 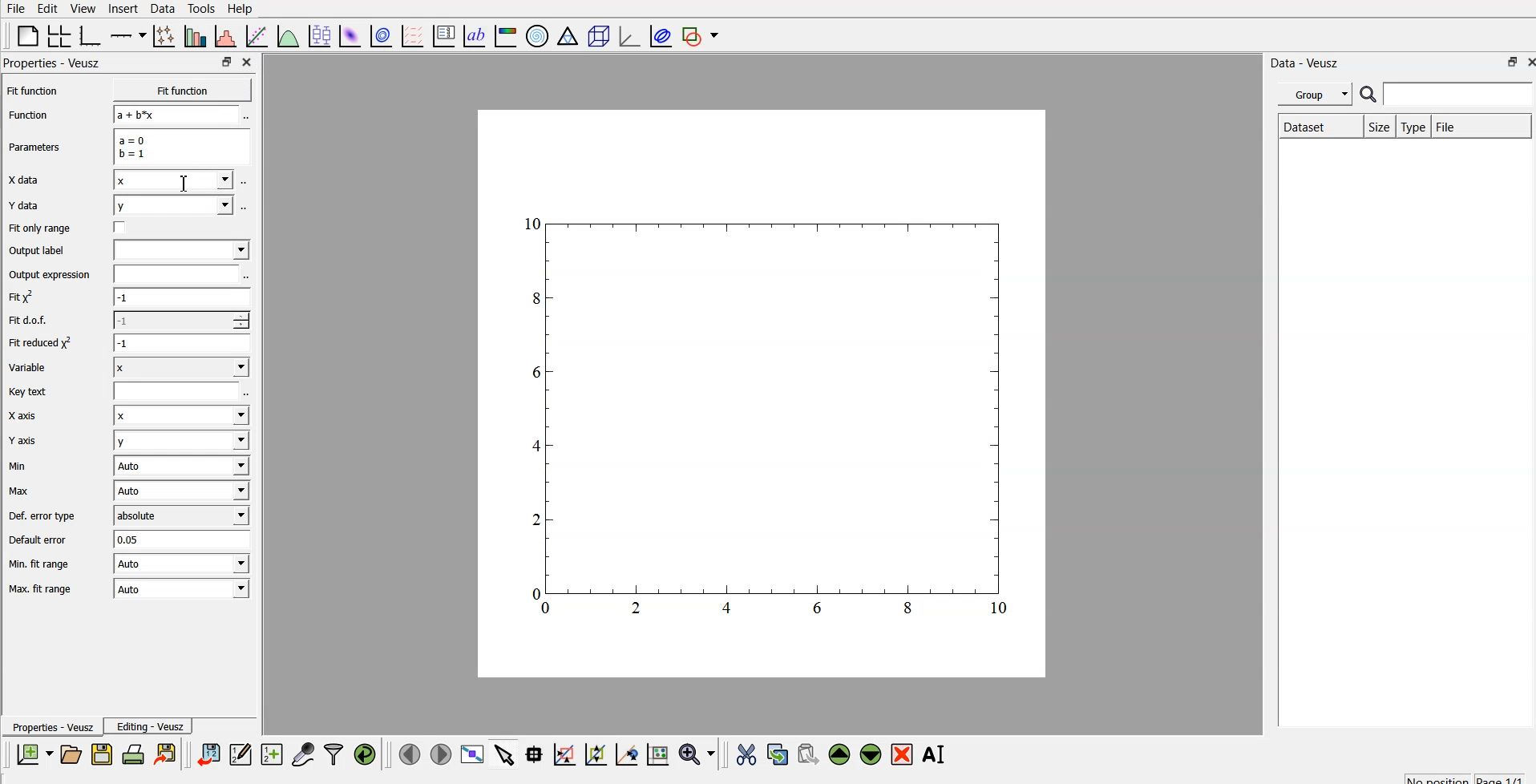 What do you see at coordinates (39, 540) in the screenshot?
I see `Default error` at bounding box center [39, 540].